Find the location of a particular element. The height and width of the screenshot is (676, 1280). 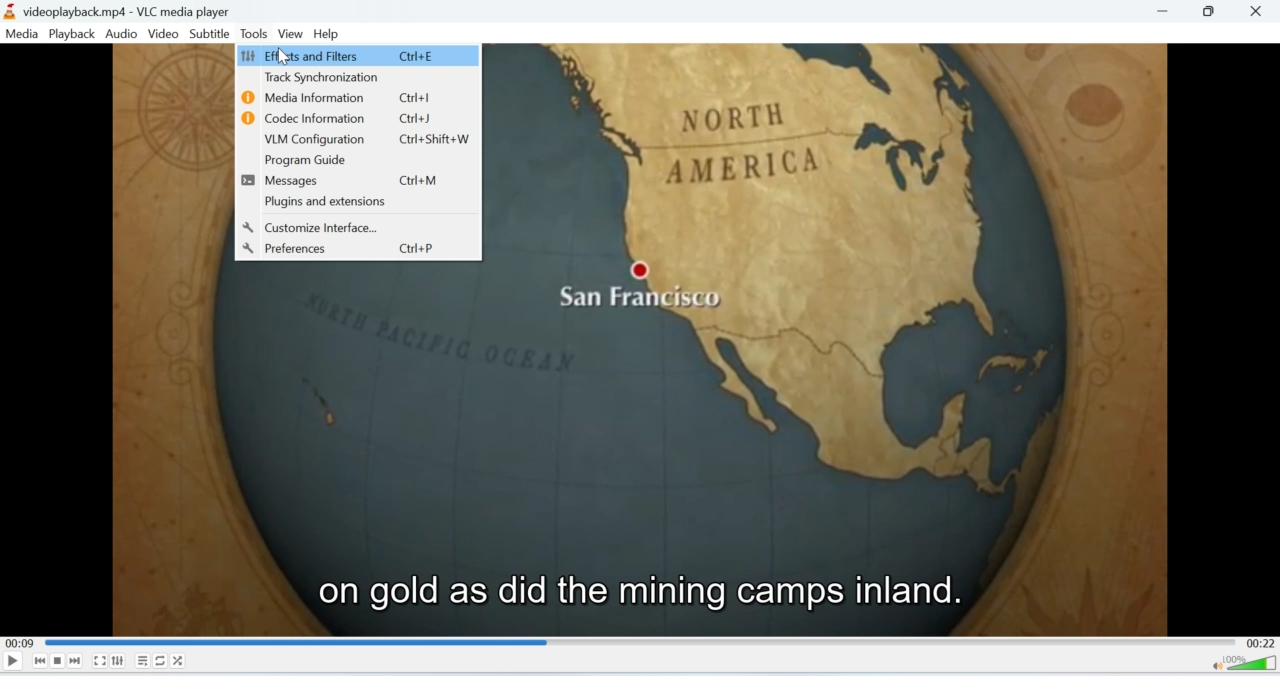

cursor on effects and filters is located at coordinates (286, 57).